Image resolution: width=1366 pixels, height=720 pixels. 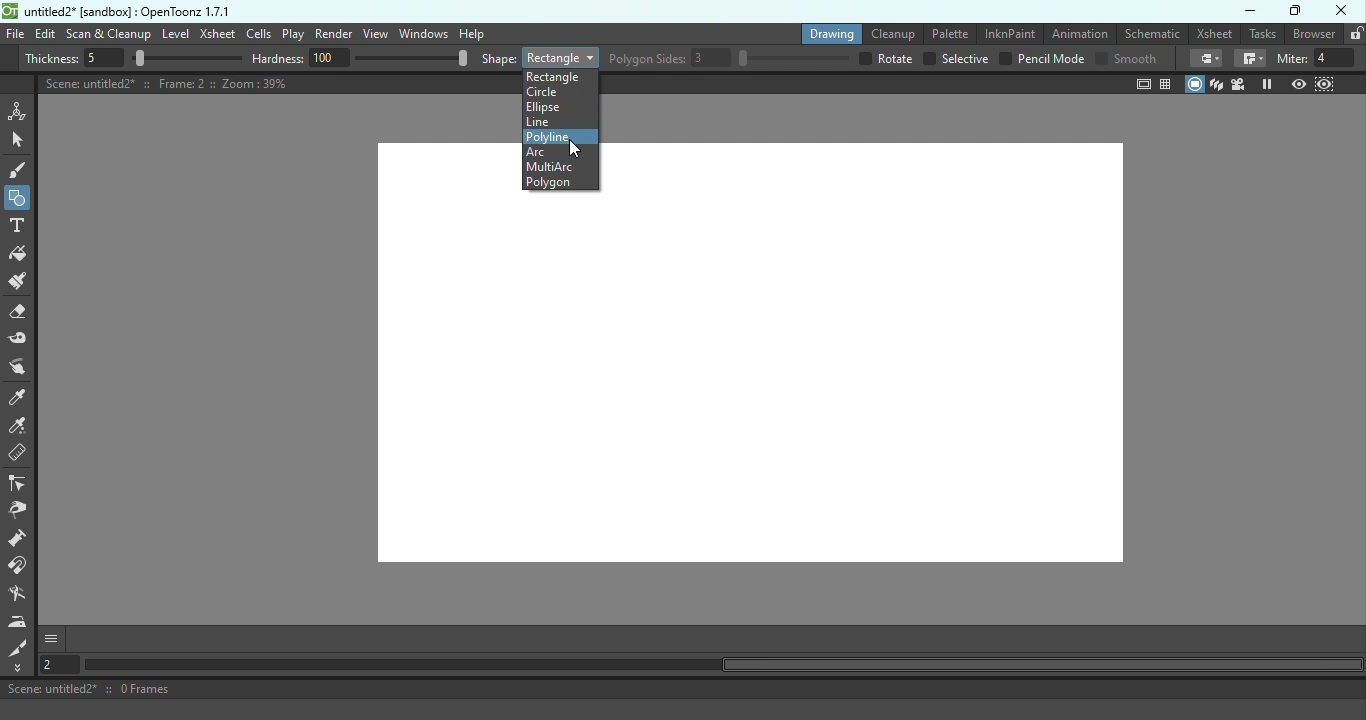 I want to click on Miter, so click(x=1320, y=59).